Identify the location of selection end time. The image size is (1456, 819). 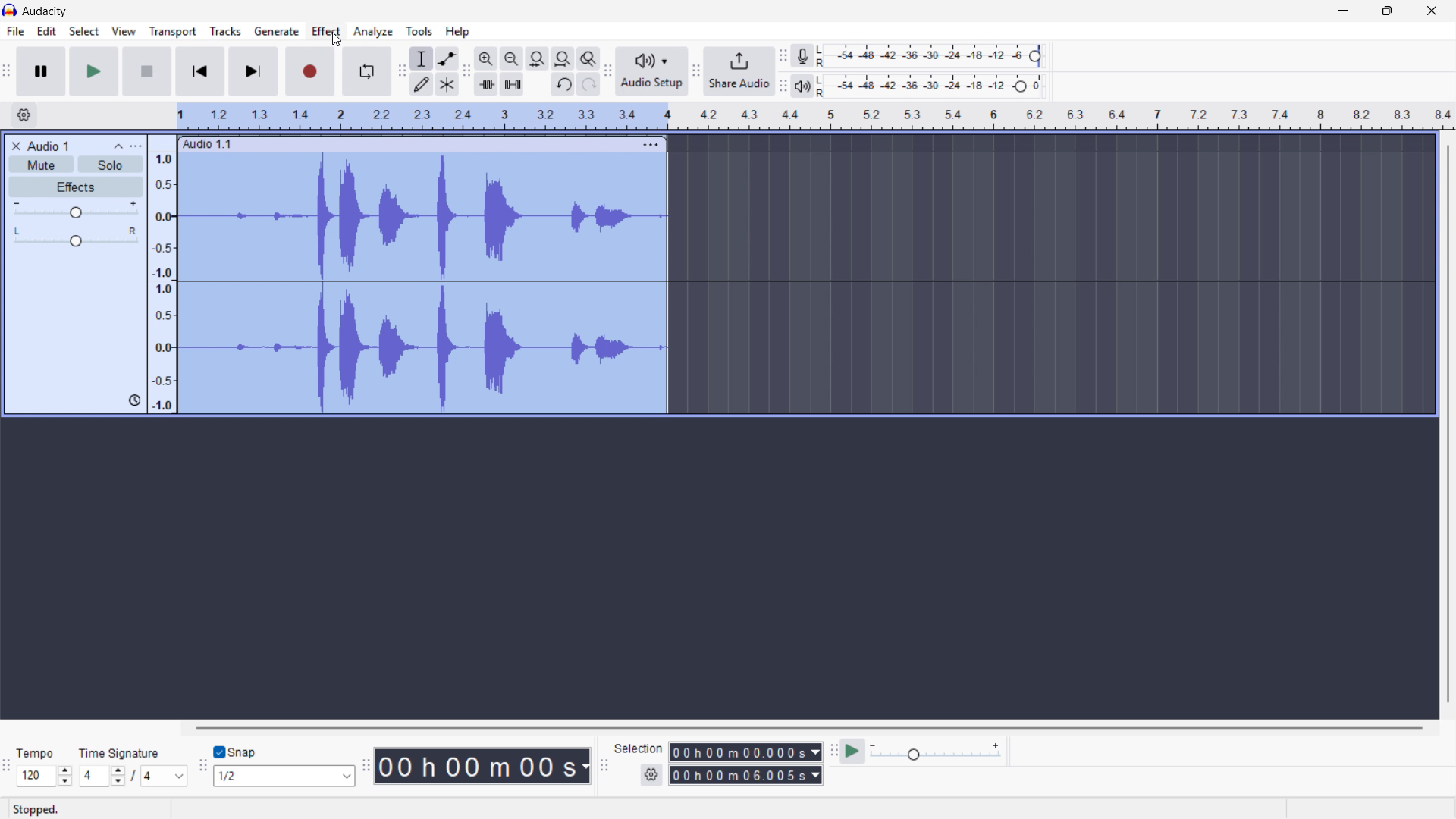
(745, 776).